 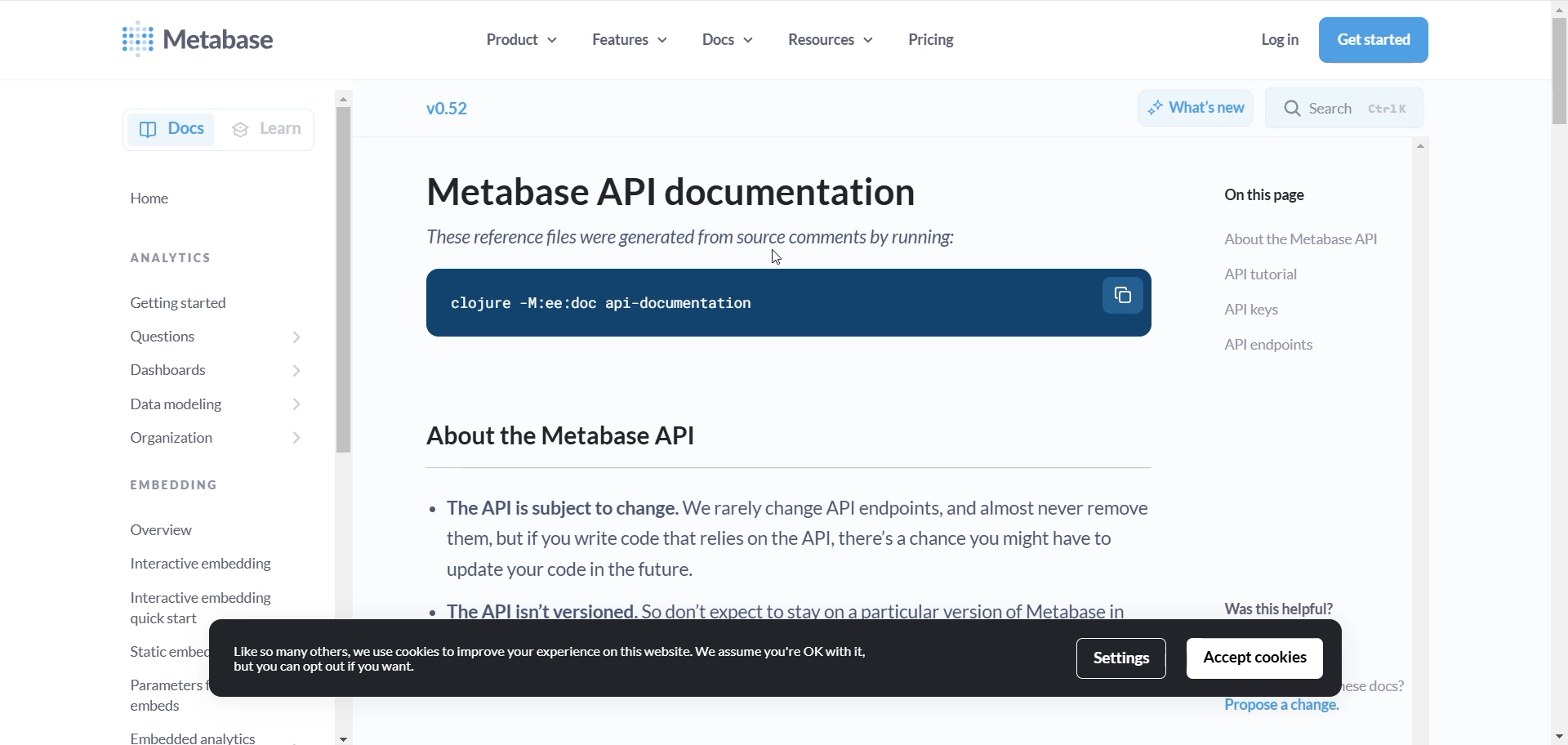 I want to click on heading, so click(x=738, y=195).